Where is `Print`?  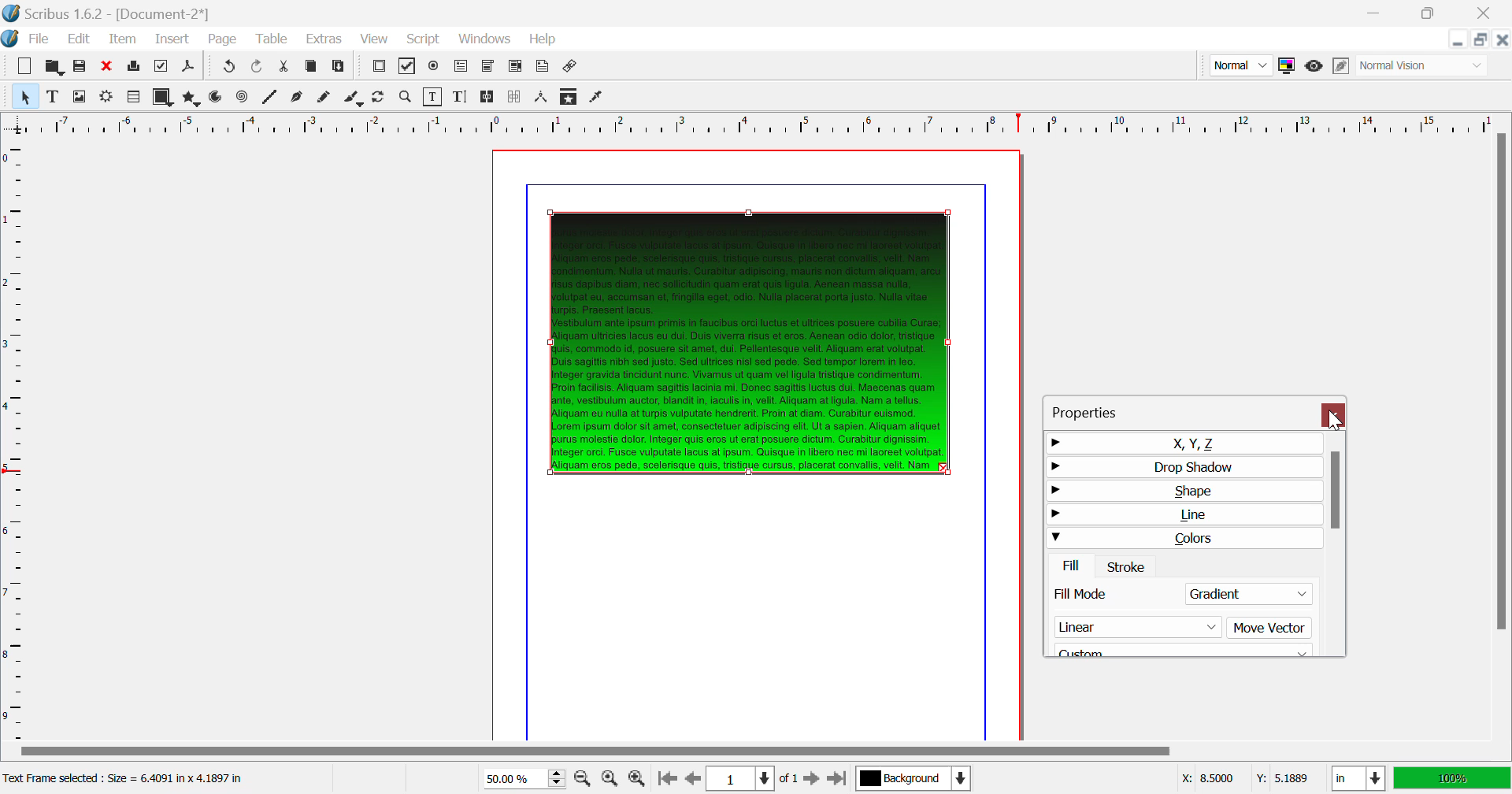 Print is located at coordinates (135, 66).